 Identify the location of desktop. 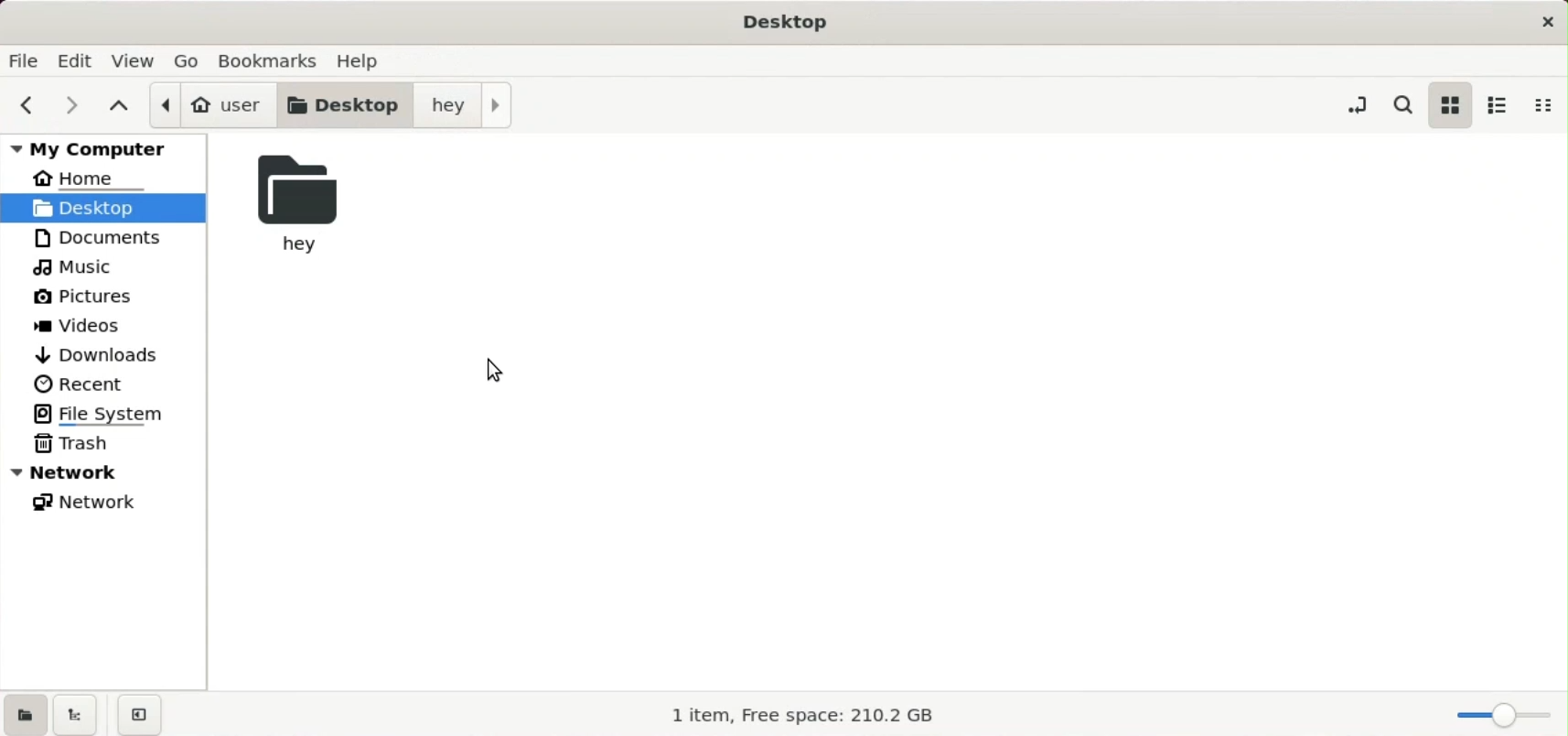
(350, 103).